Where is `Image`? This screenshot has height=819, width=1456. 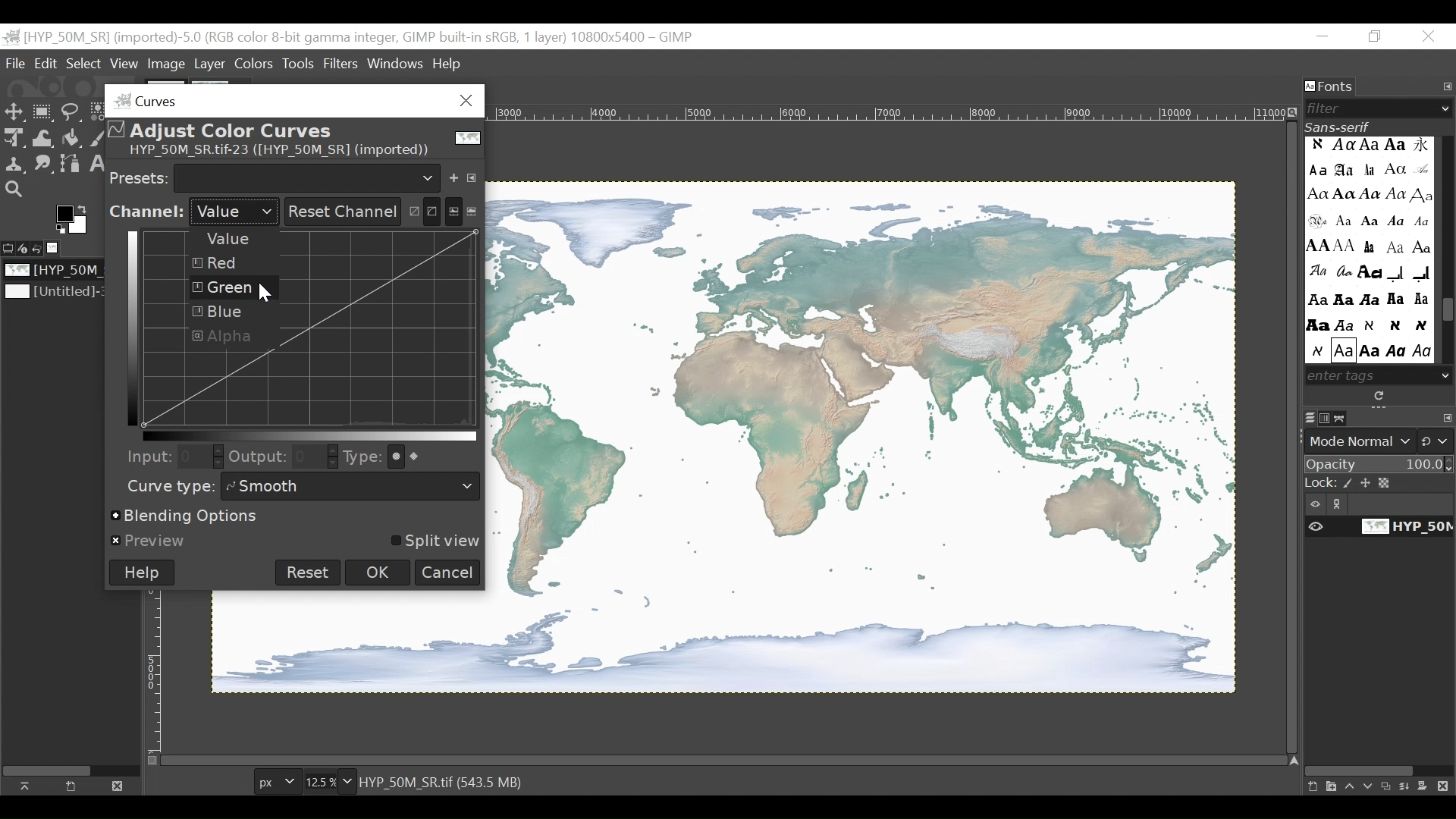
Image is located at coordinates (168, 64).